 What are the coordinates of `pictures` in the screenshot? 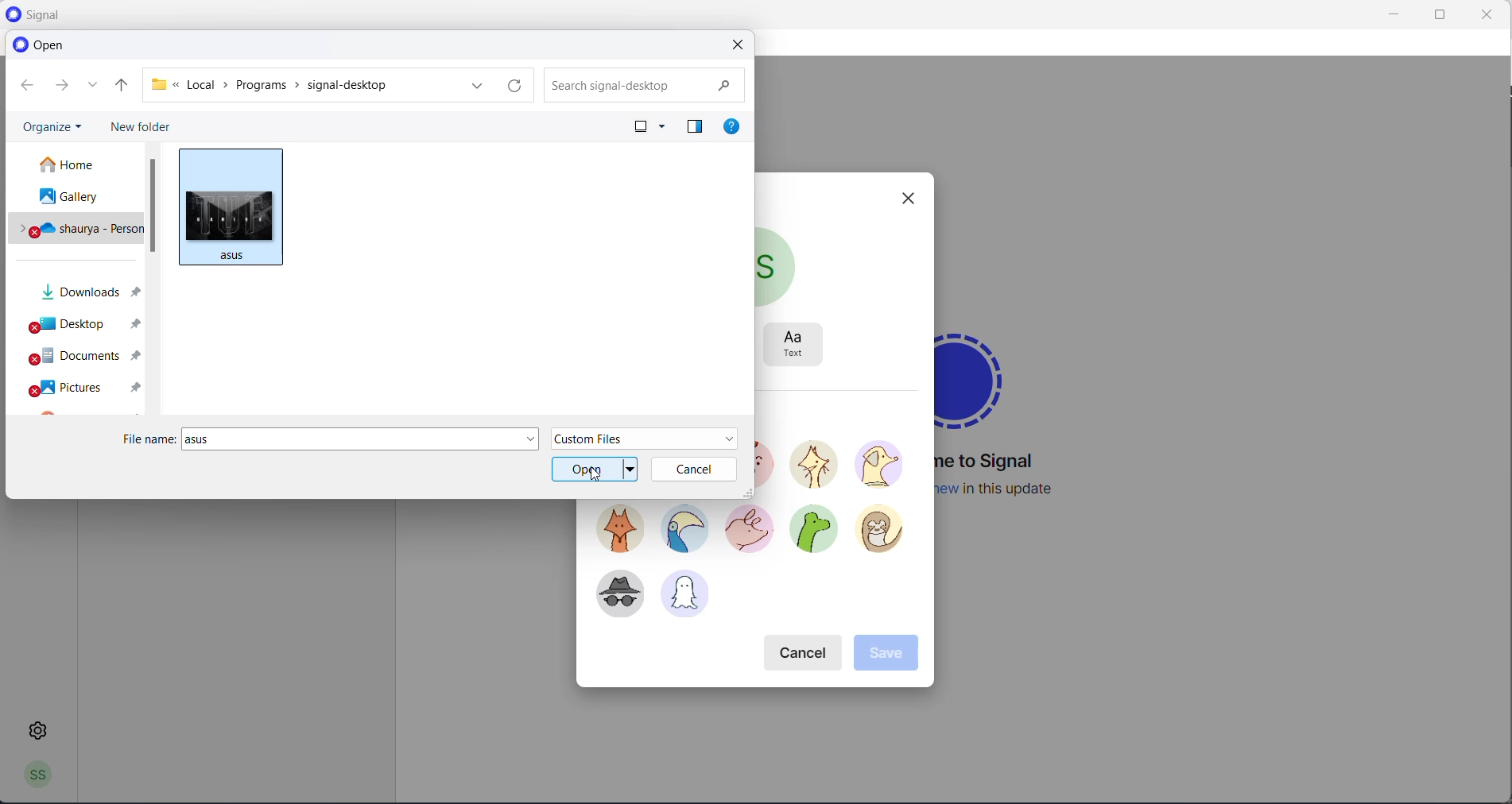 It's located at (91, 392).